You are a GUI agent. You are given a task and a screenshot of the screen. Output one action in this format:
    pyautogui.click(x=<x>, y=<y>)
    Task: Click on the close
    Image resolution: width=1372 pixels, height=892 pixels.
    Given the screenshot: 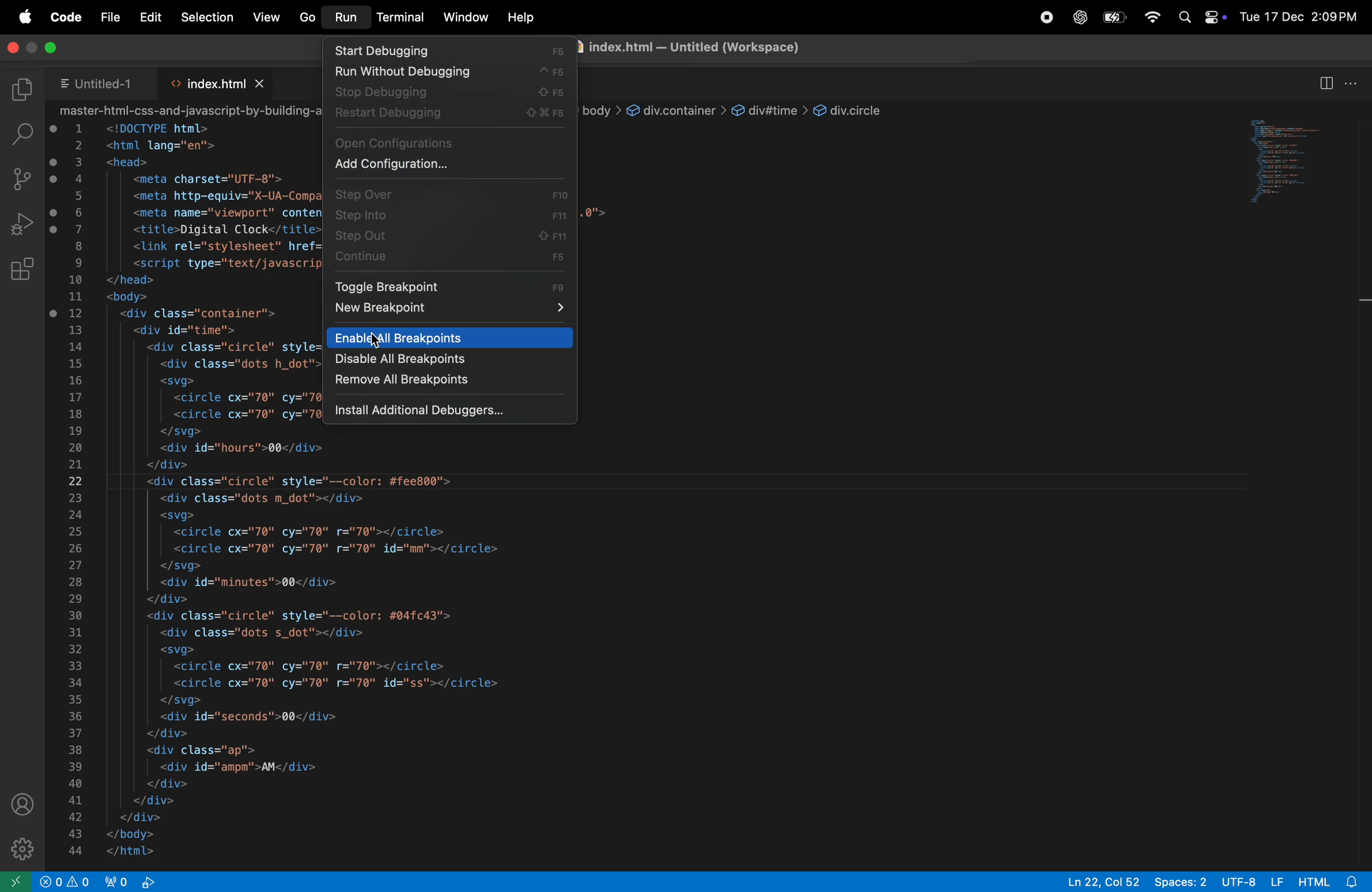 What is the action you would take?
    pyautogui.click(x=14, y=46)
    